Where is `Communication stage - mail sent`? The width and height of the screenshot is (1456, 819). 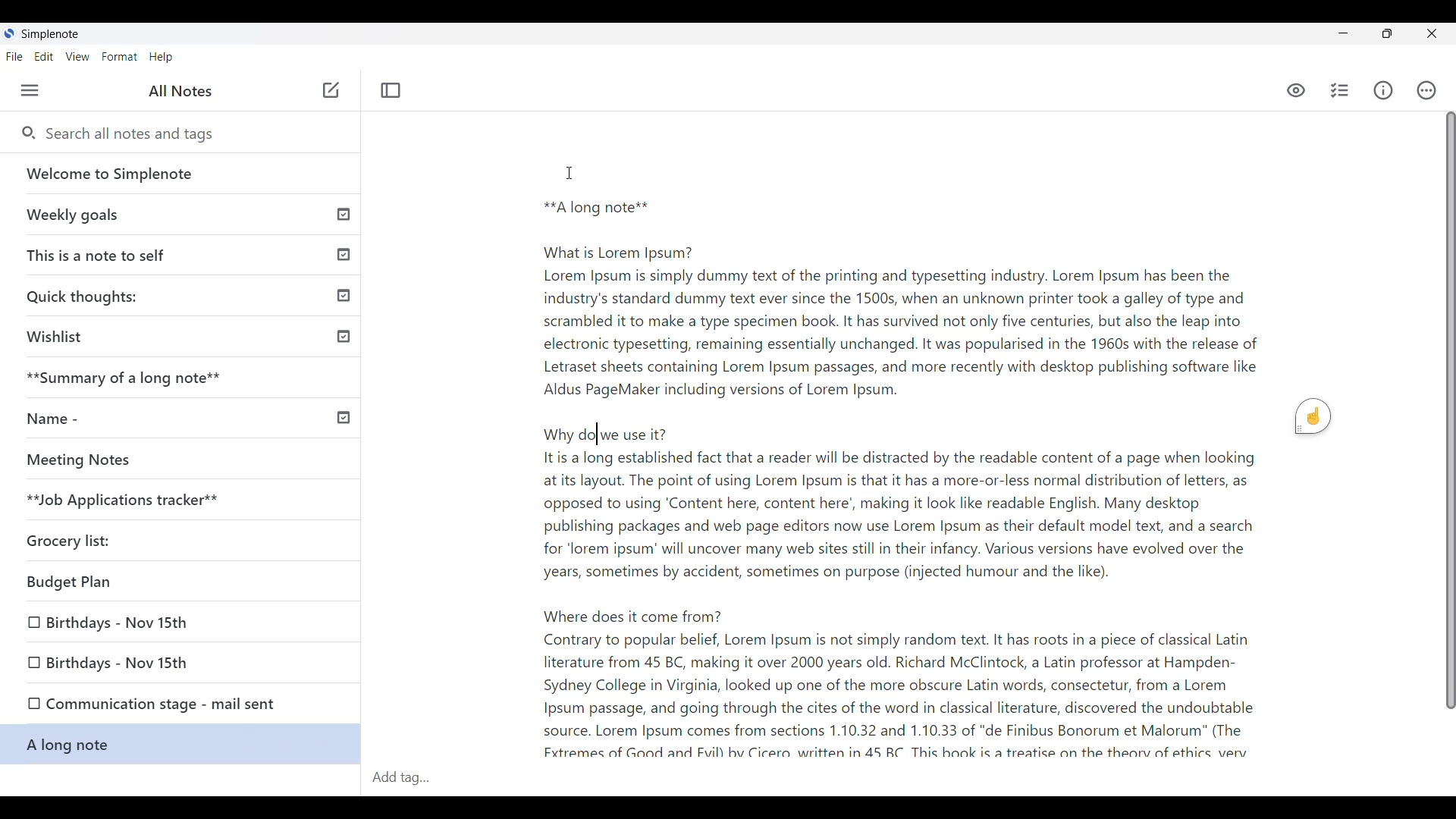
Communication stage - mail sent is located at coordinates (180, 706).